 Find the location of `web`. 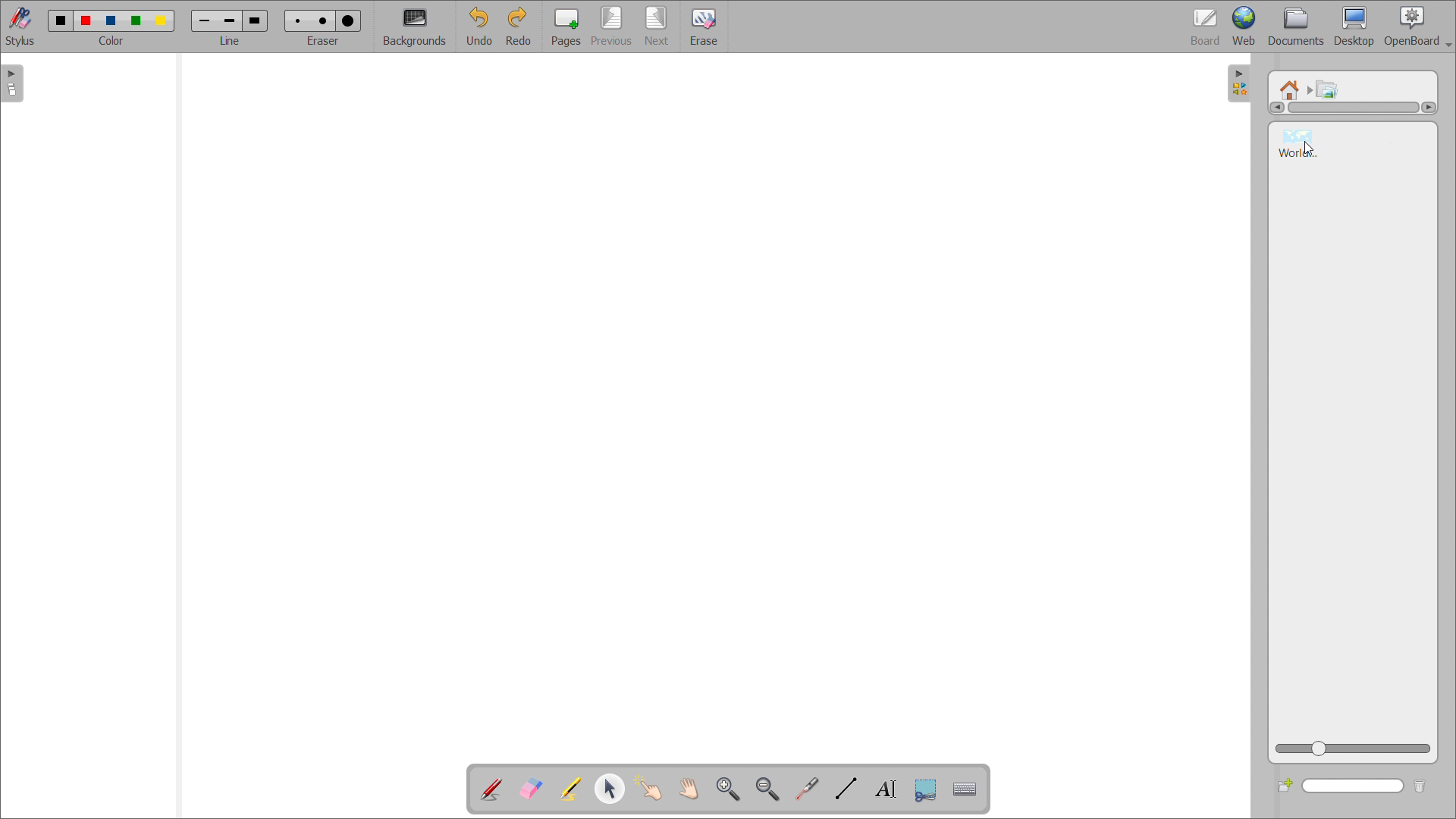

web is located at coordinates (1245, 27).